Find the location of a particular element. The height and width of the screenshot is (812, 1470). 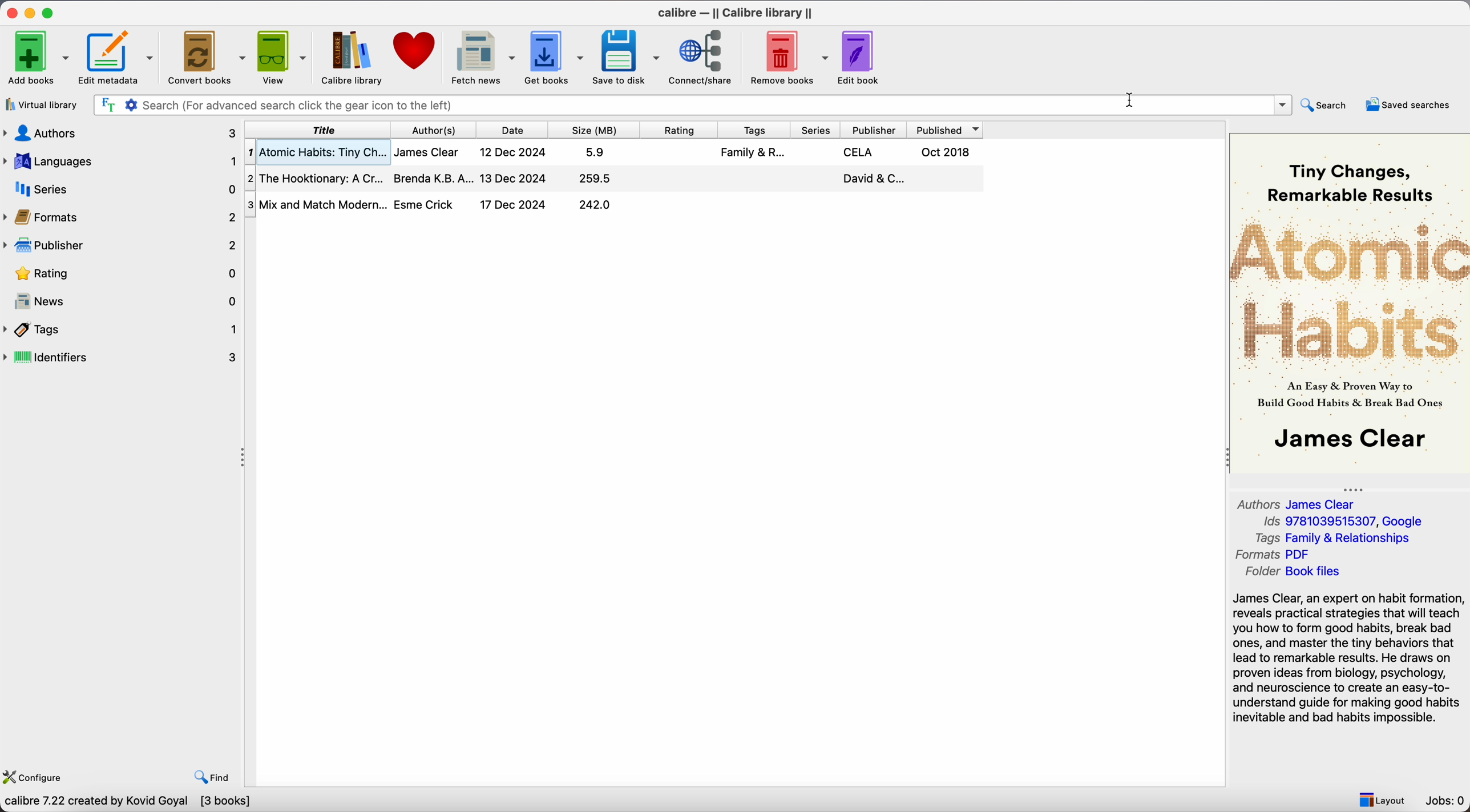

242.0 is located at coordinates (595, 204).